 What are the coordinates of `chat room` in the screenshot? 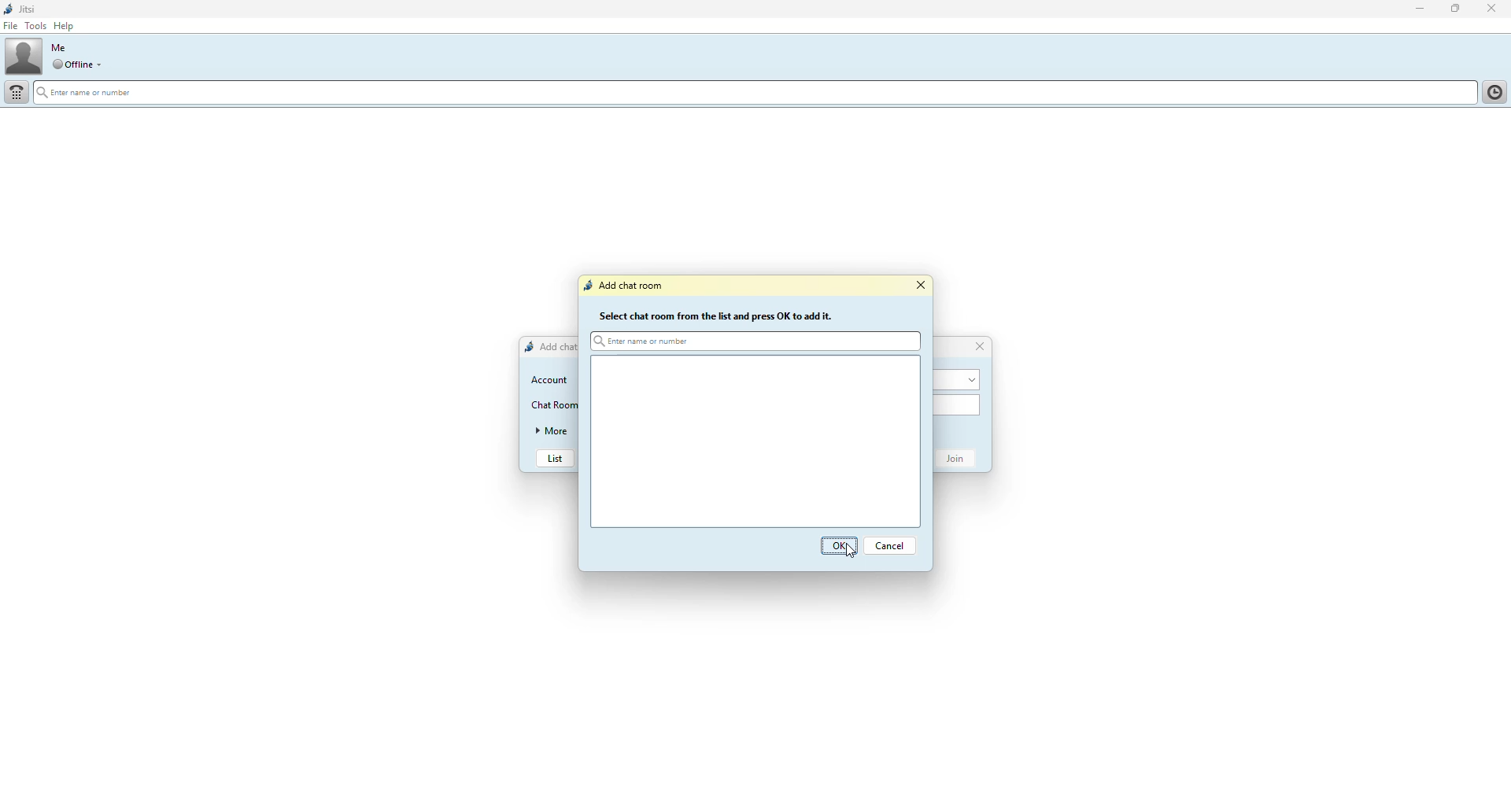 It's located at (955, 404).